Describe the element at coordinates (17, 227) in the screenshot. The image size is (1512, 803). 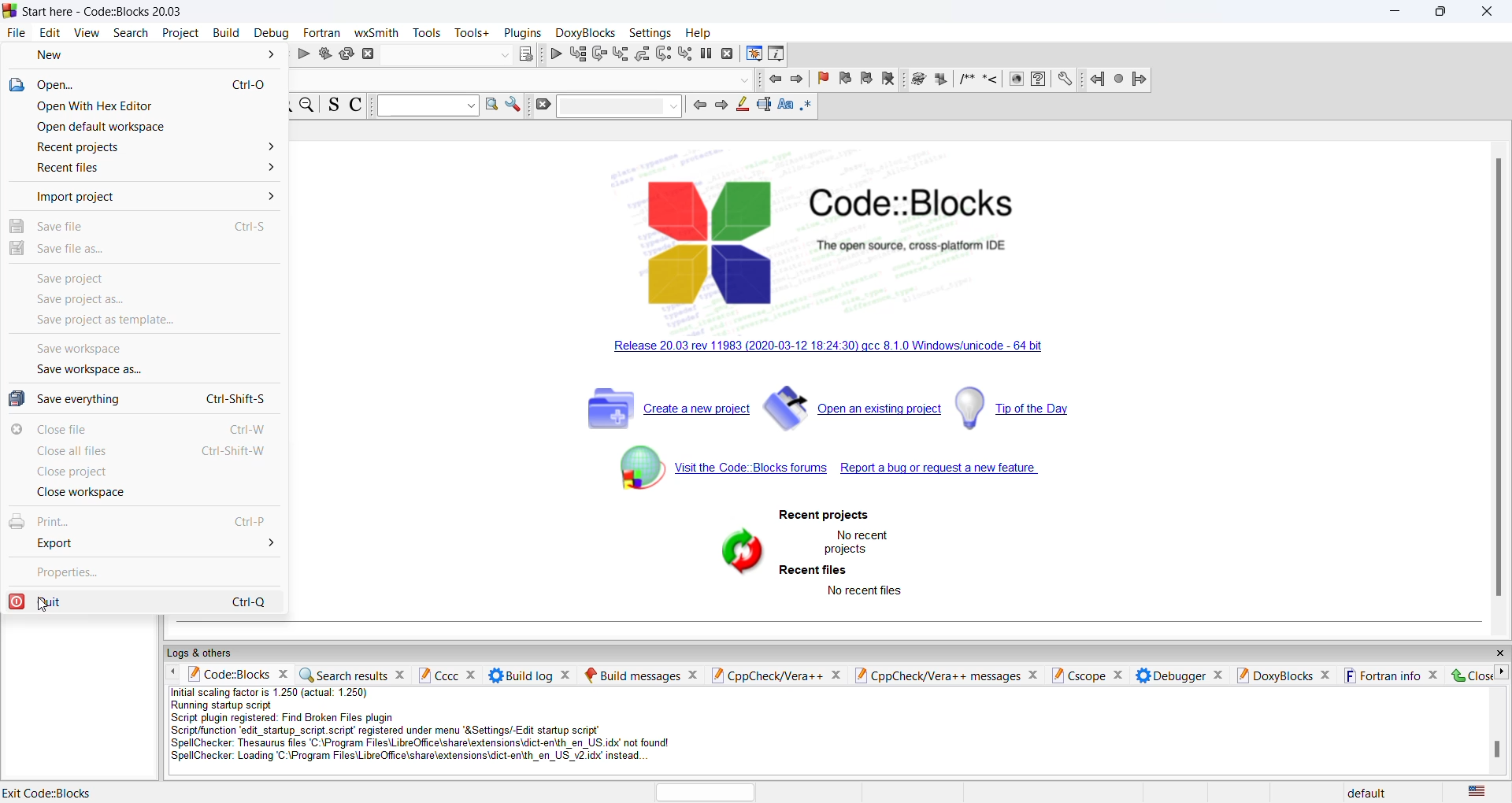
I see `save icon` at that location.